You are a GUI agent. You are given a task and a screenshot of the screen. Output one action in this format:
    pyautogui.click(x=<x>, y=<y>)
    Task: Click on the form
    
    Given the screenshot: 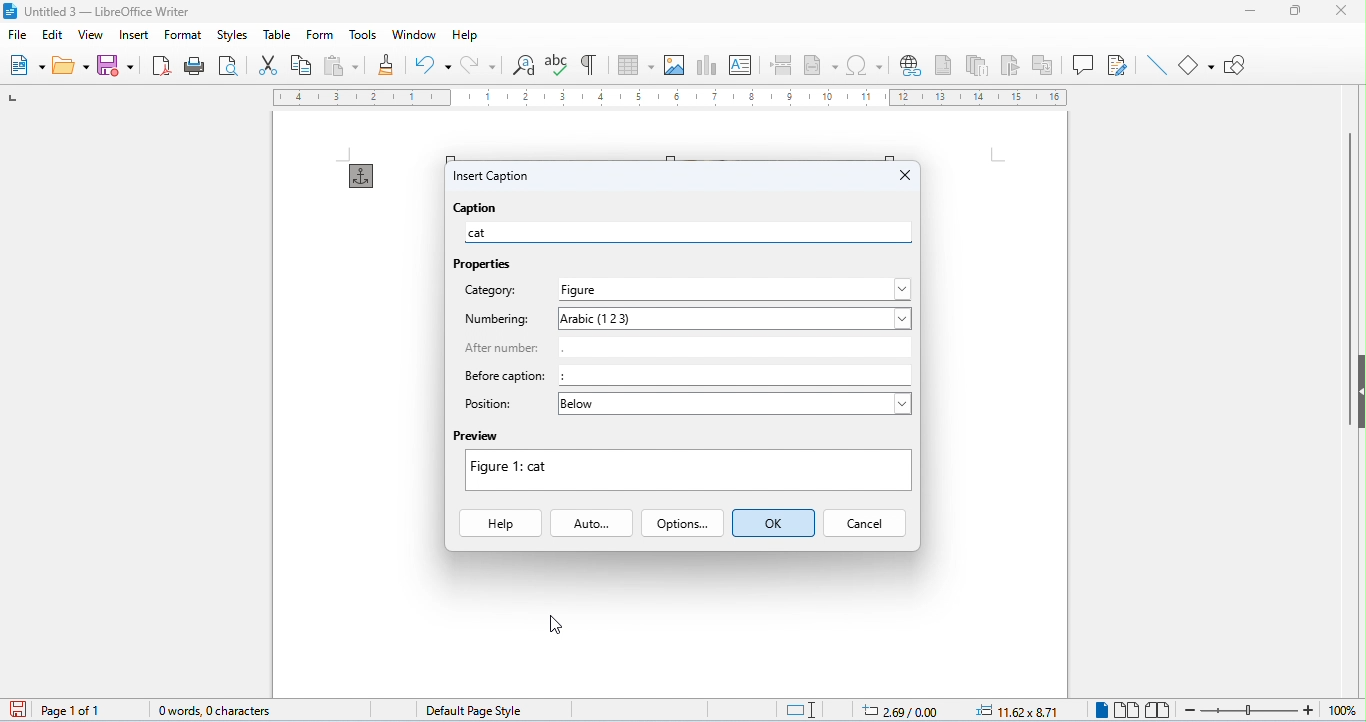 What is the action you would take?
    pyautogui.click(x=321, y=34)
    